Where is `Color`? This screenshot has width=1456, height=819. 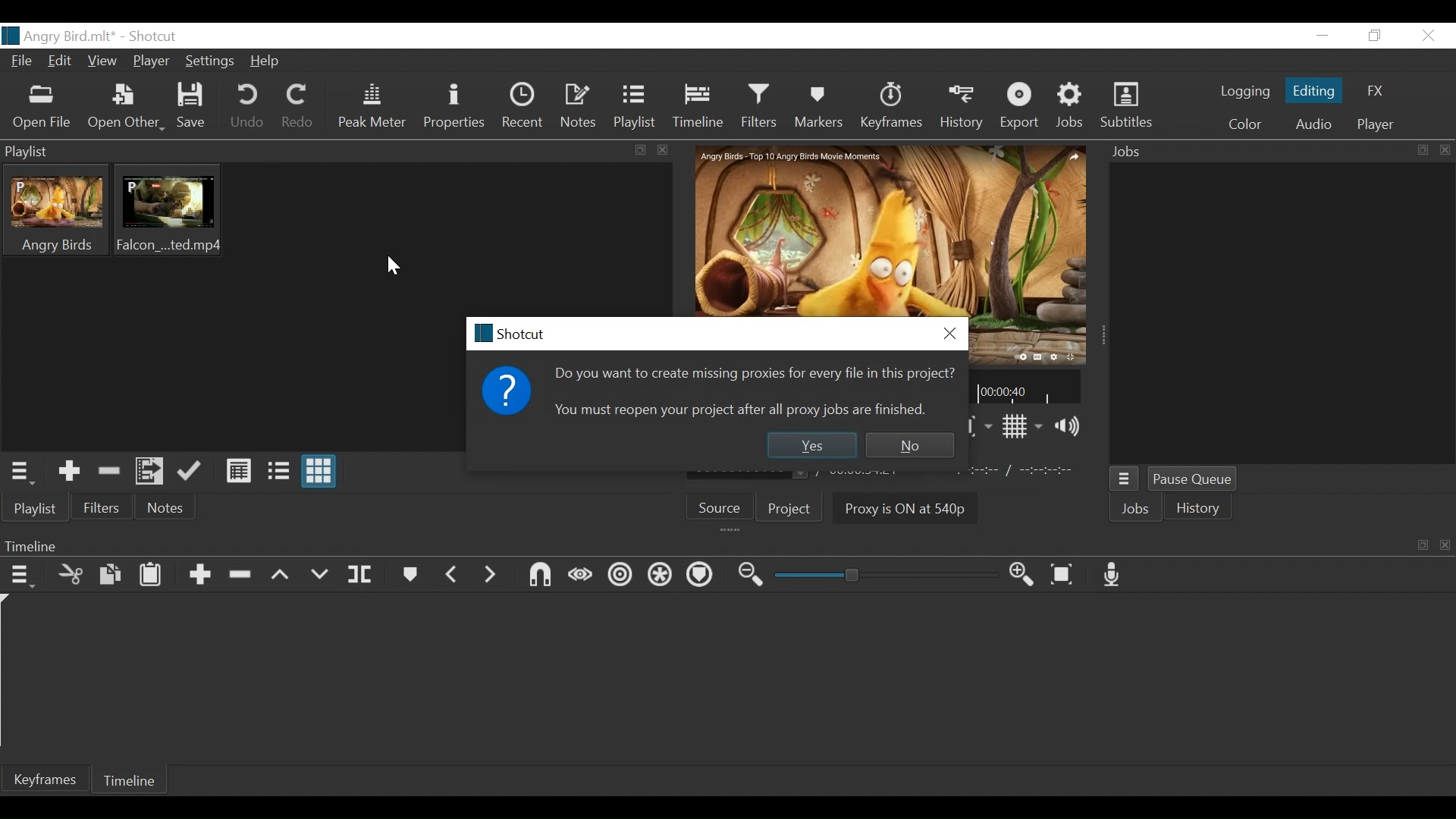
Color is located at coordinates (1246, 124).